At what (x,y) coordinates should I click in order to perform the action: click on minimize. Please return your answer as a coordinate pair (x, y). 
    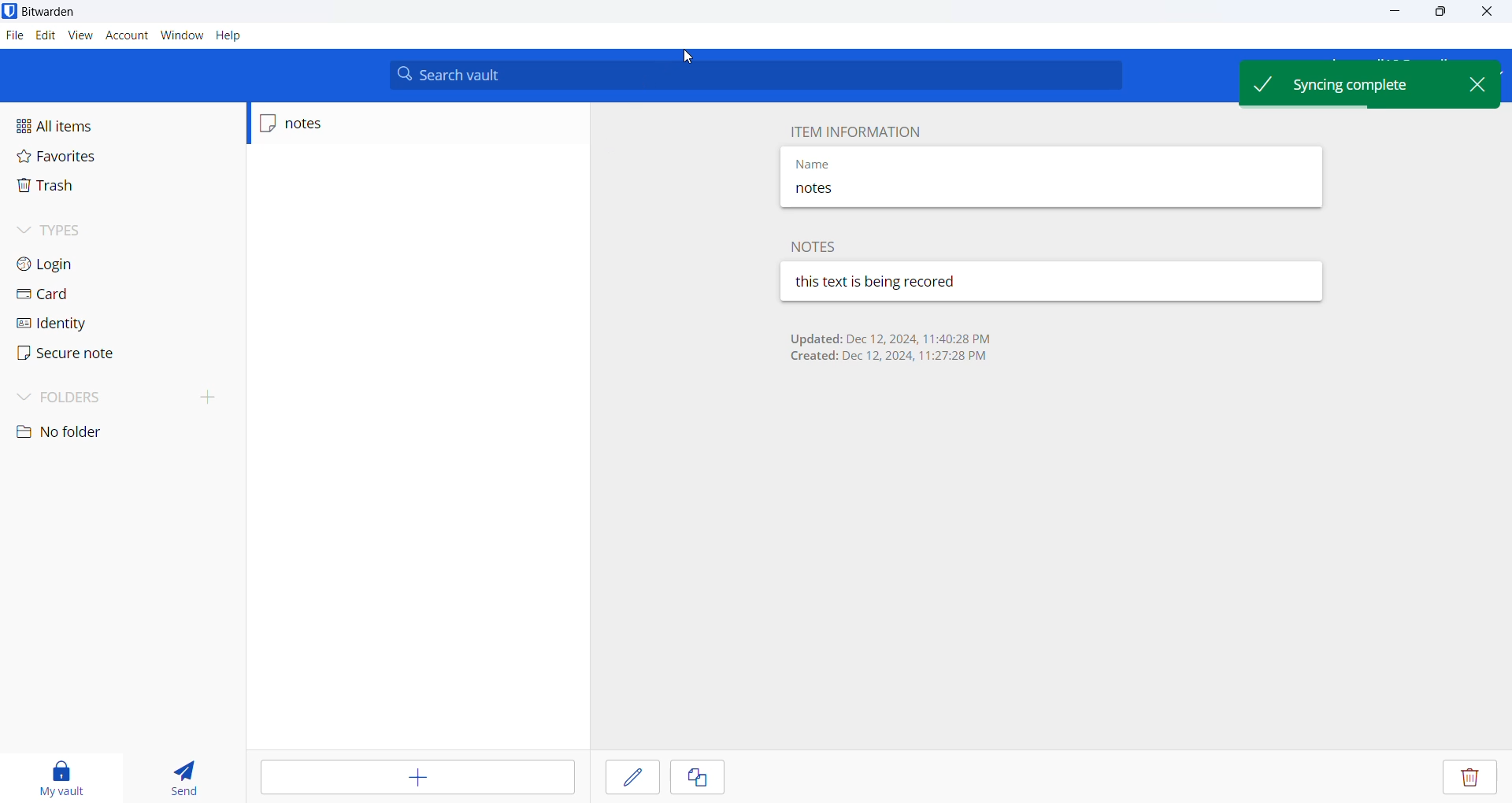
    Looking at the image, I should click on (1391, 13).